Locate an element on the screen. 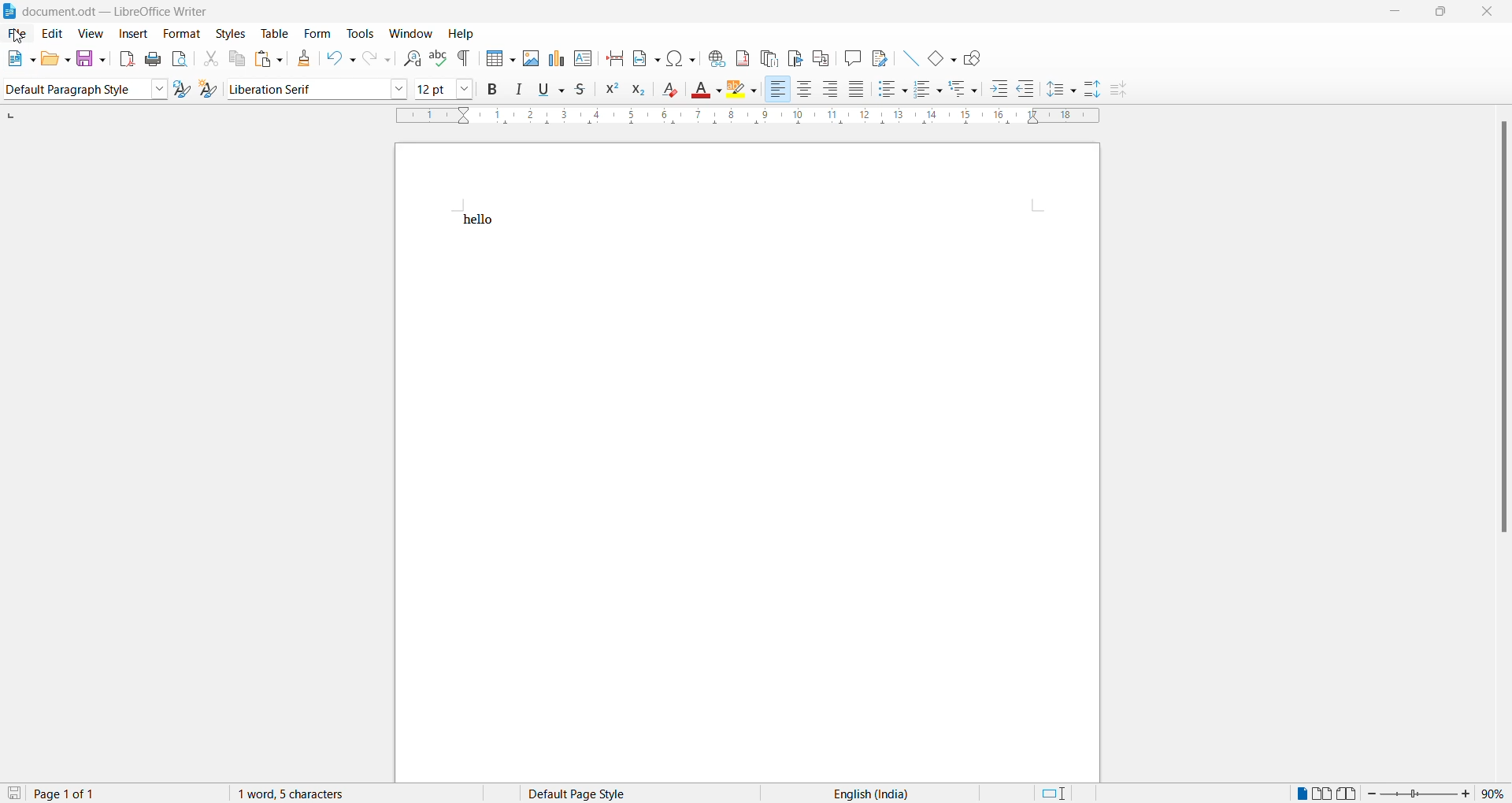 The image size is (1512, 803). save is located at coordinates (15, 792).